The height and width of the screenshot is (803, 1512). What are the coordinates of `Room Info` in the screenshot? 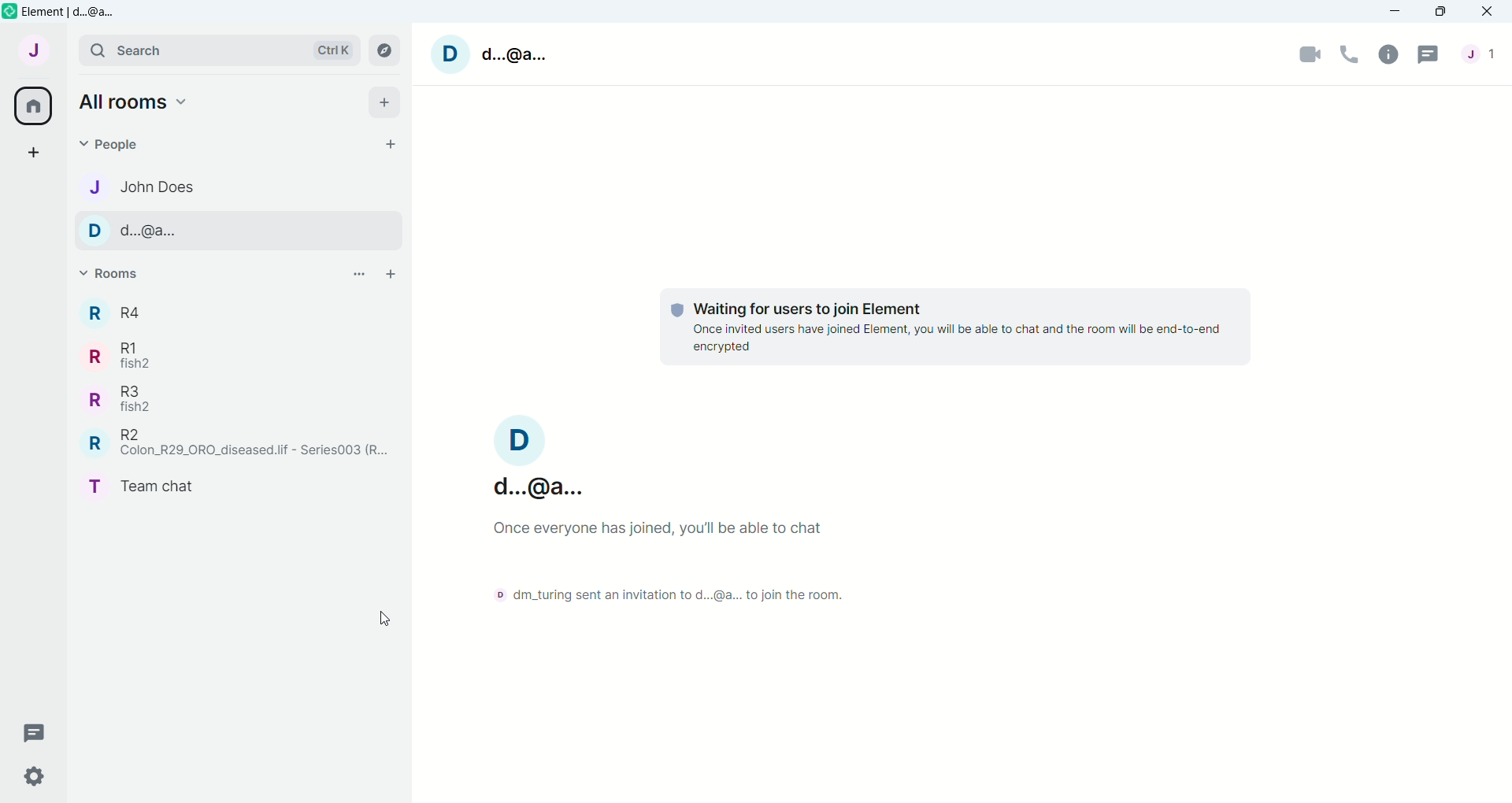 It's located at (1391, 53).